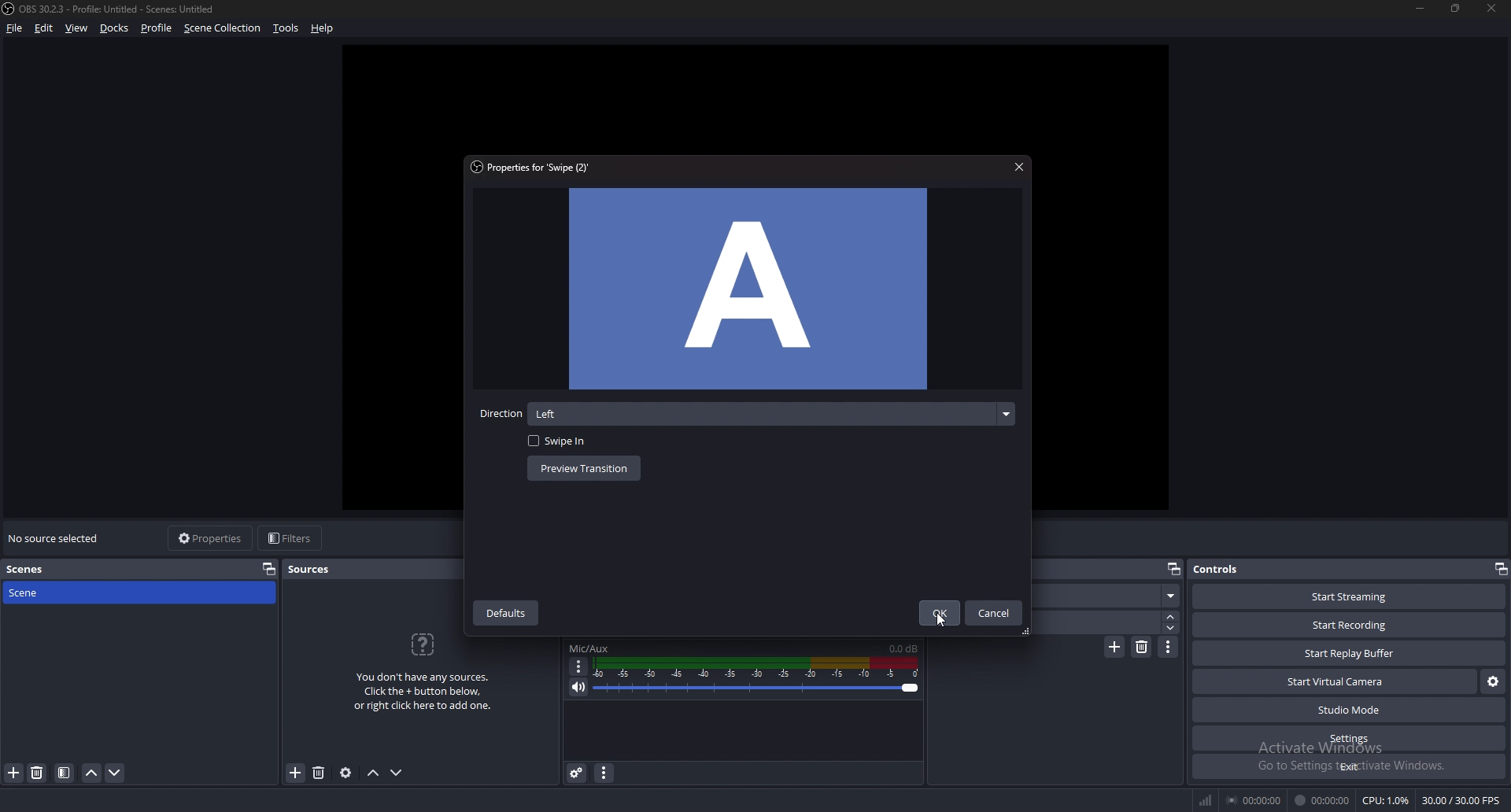  Describe the element at coordinates (115, 773) in the screenshot. I see `move scene down` at that location.